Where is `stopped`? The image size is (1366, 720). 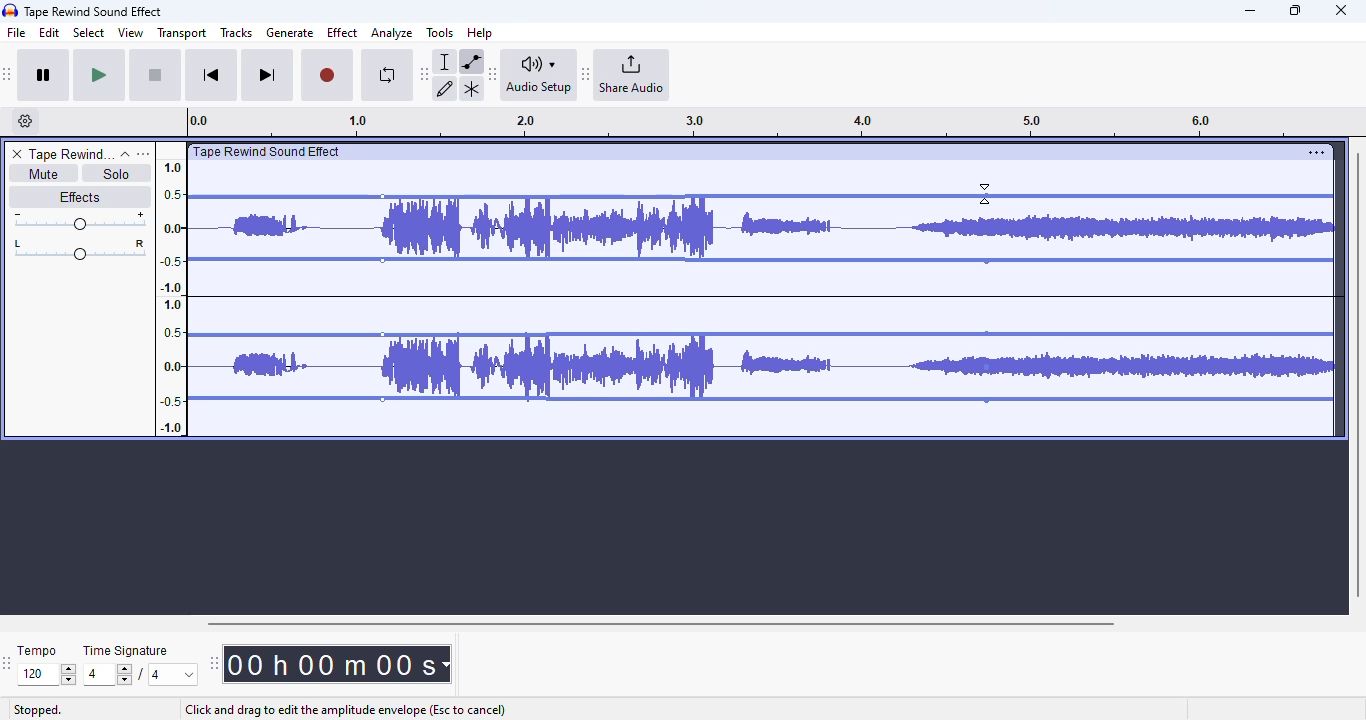
stopped is located at coordinates (38, 711).